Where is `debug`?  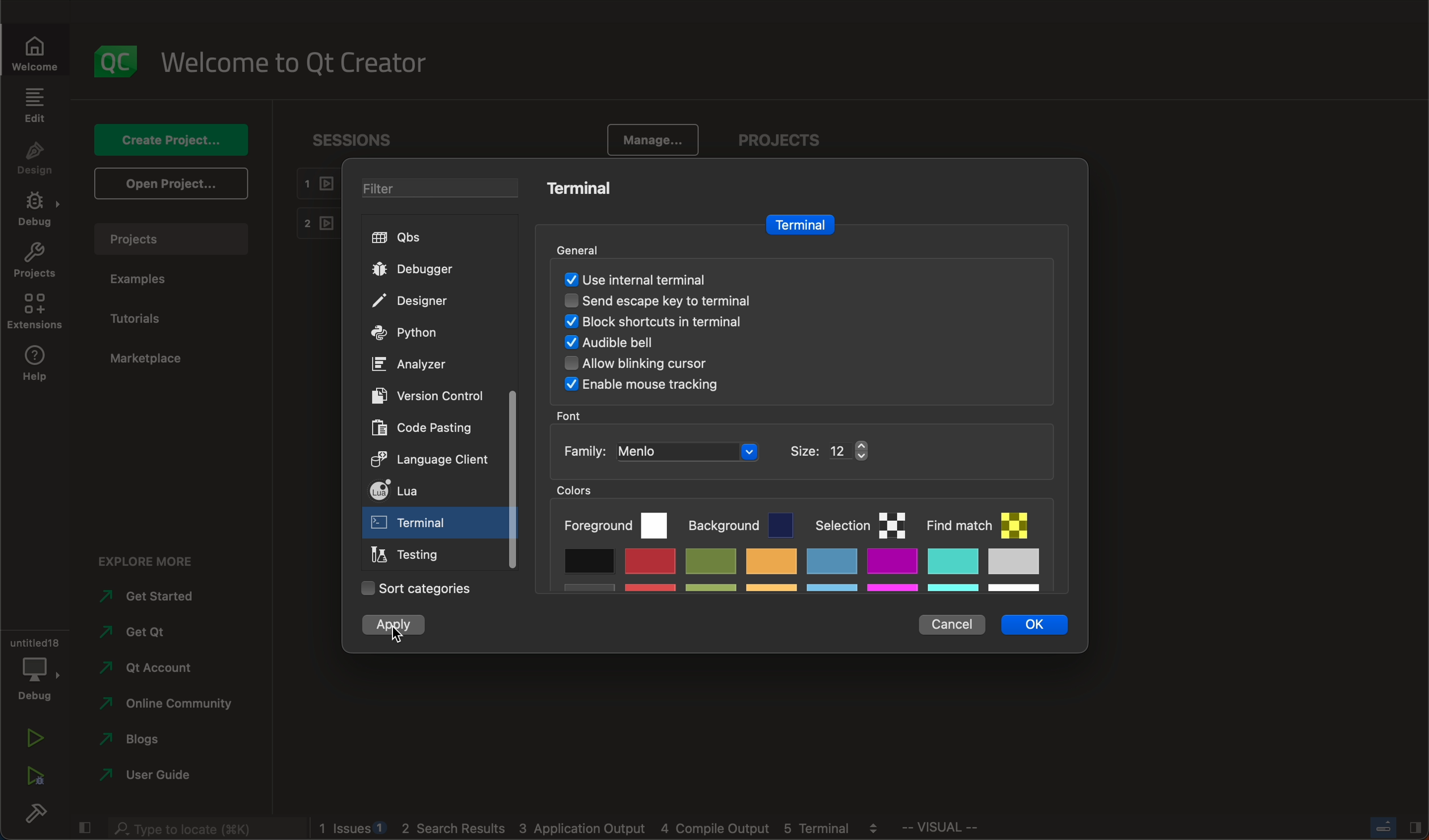 debug is located at coordinates (34, 211).